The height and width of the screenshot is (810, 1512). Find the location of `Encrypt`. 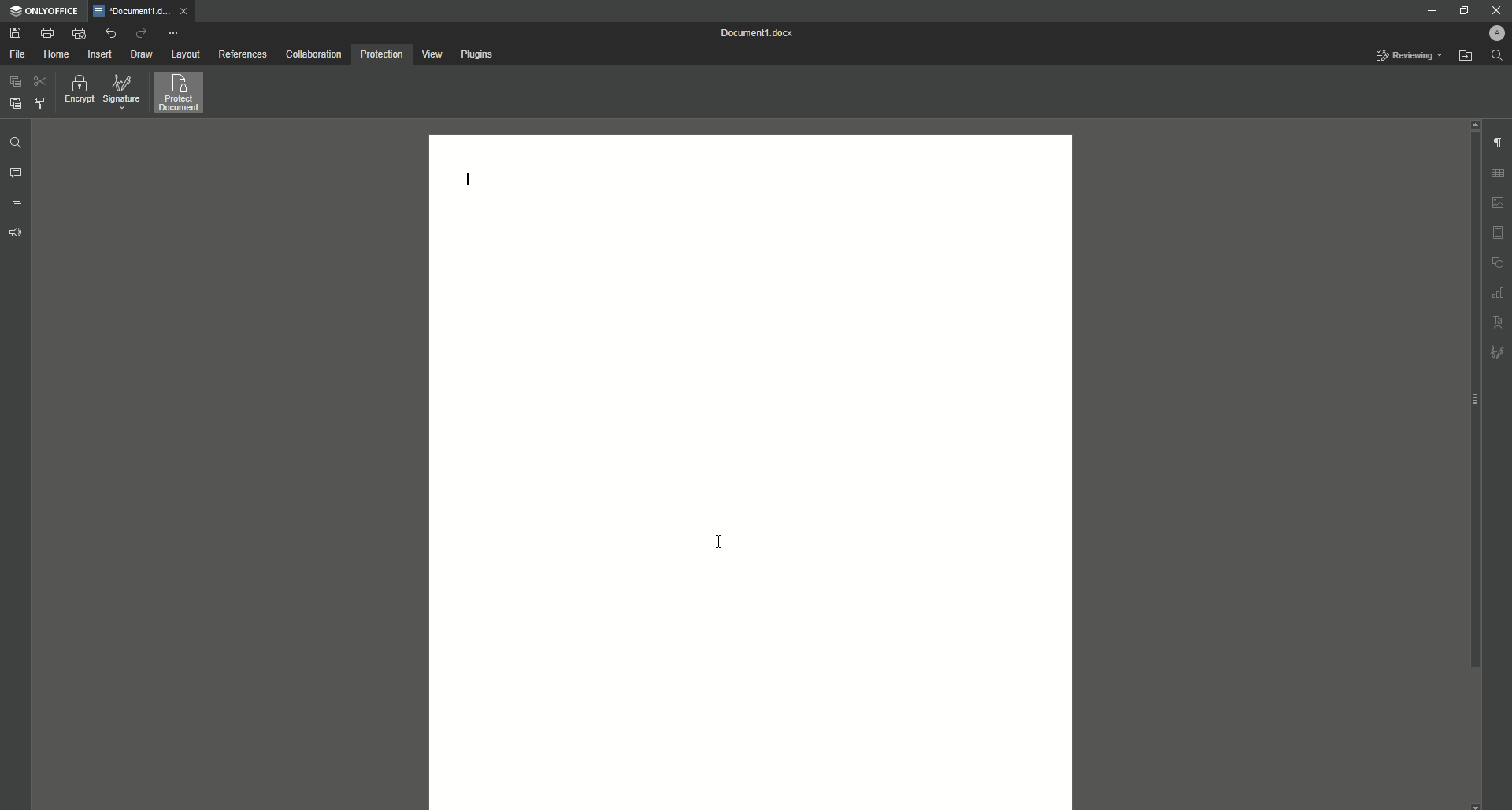

Encrypt is located at coordinates (76, 92).